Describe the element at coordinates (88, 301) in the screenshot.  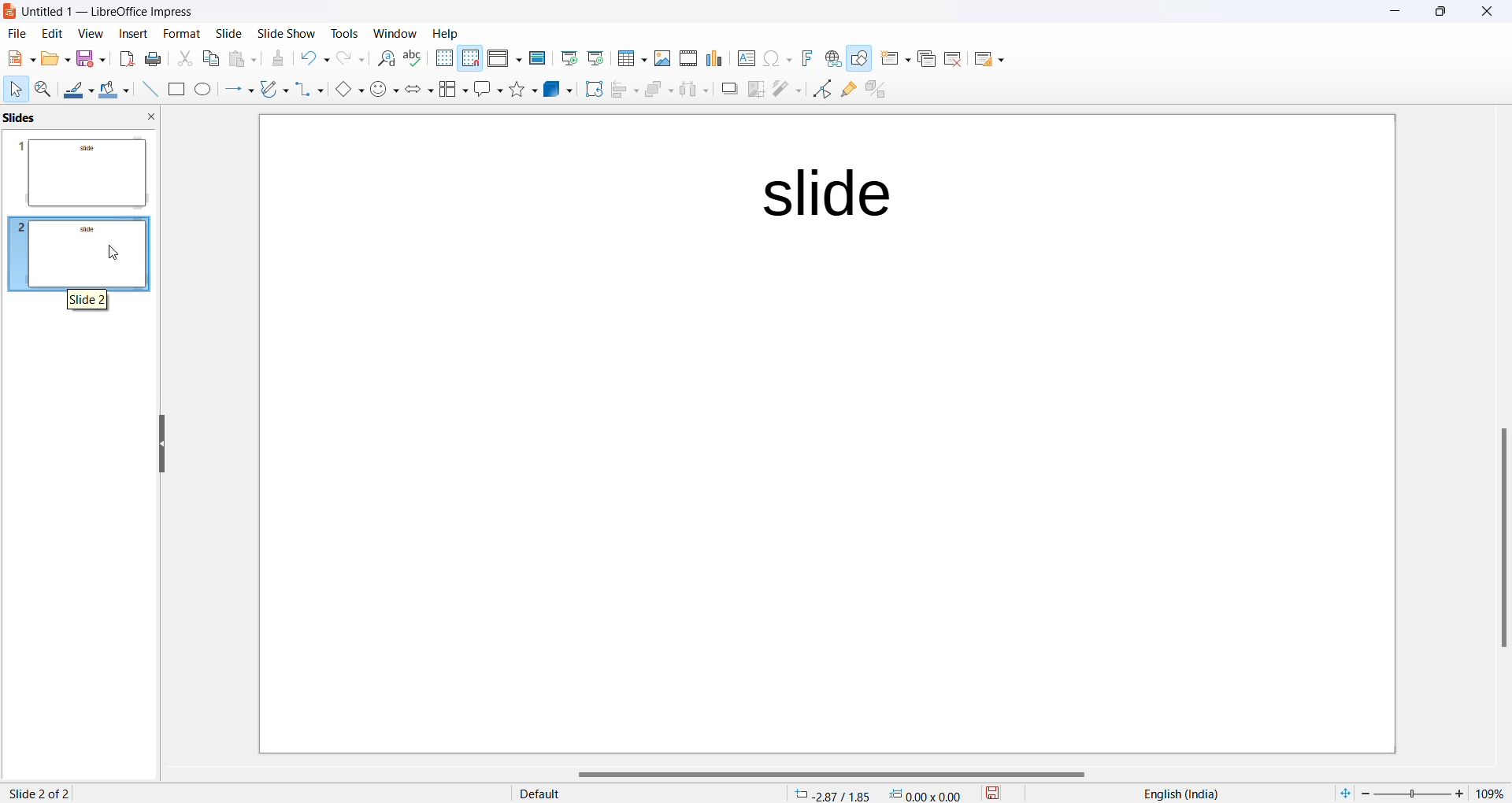
I see `hover text "slide 2"` at that location.